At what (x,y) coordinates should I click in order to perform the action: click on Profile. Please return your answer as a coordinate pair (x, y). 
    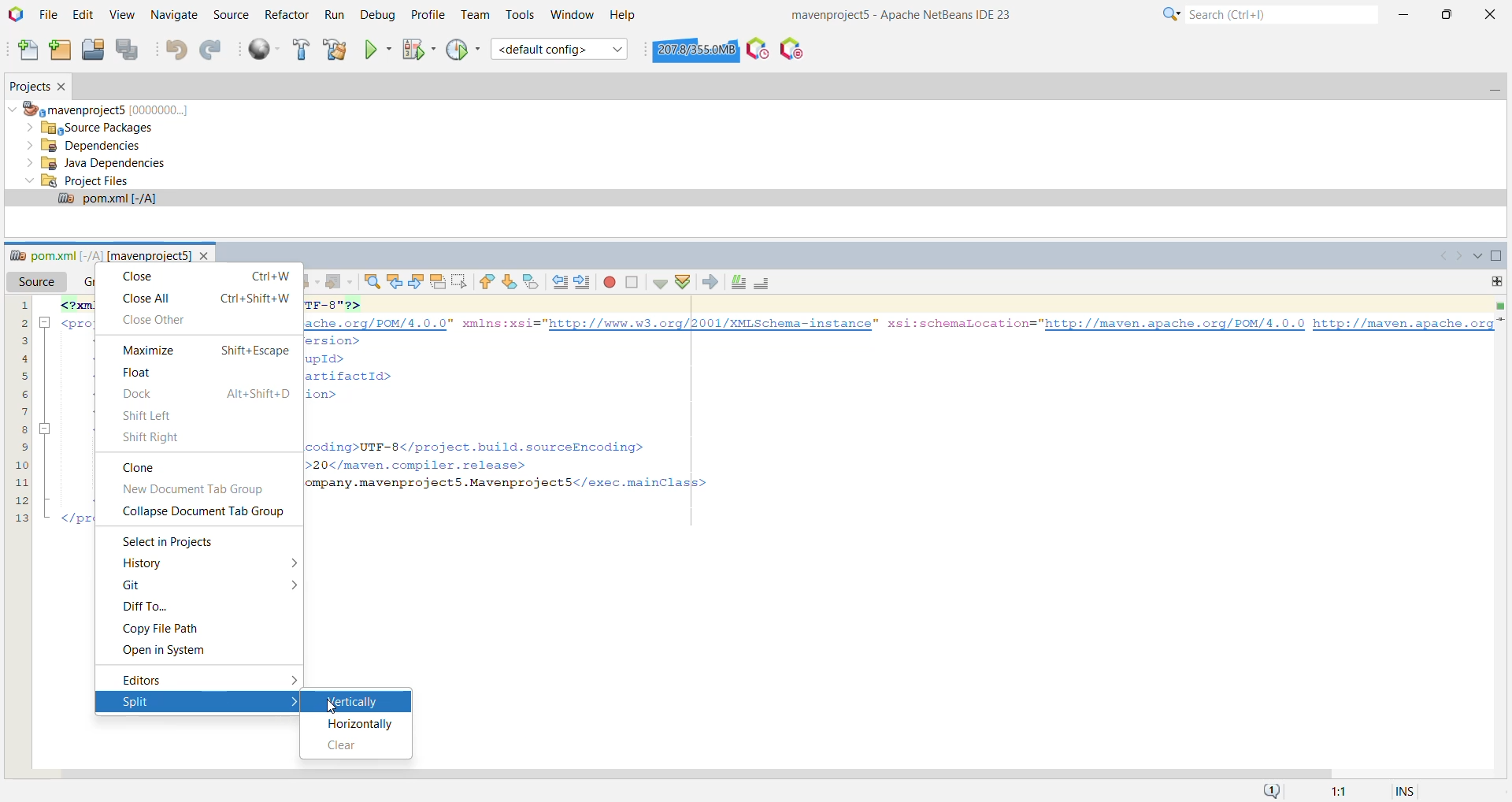
    Looking at the image, I should click on (426, 15).